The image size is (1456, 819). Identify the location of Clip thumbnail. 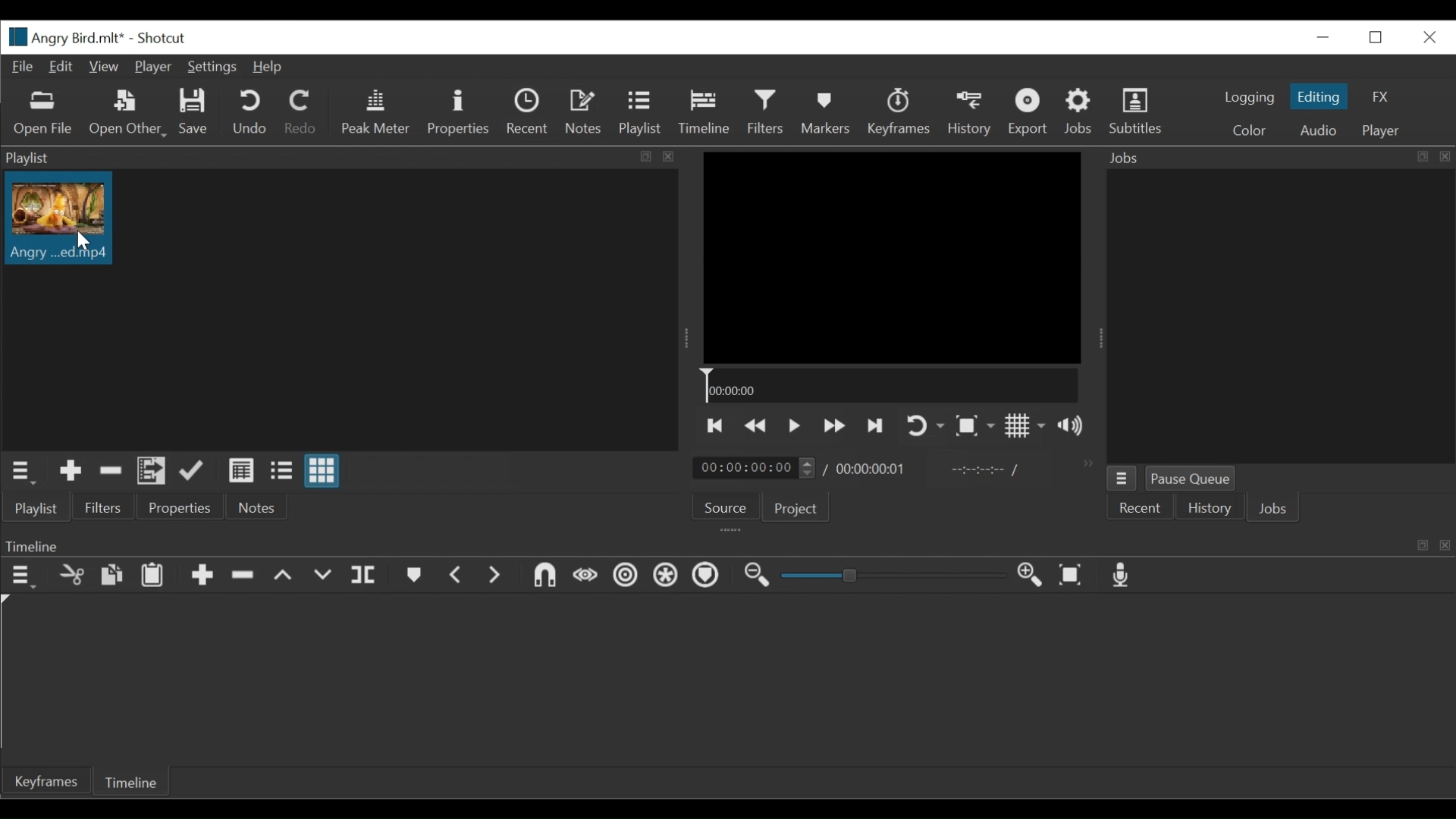
(56, 218).